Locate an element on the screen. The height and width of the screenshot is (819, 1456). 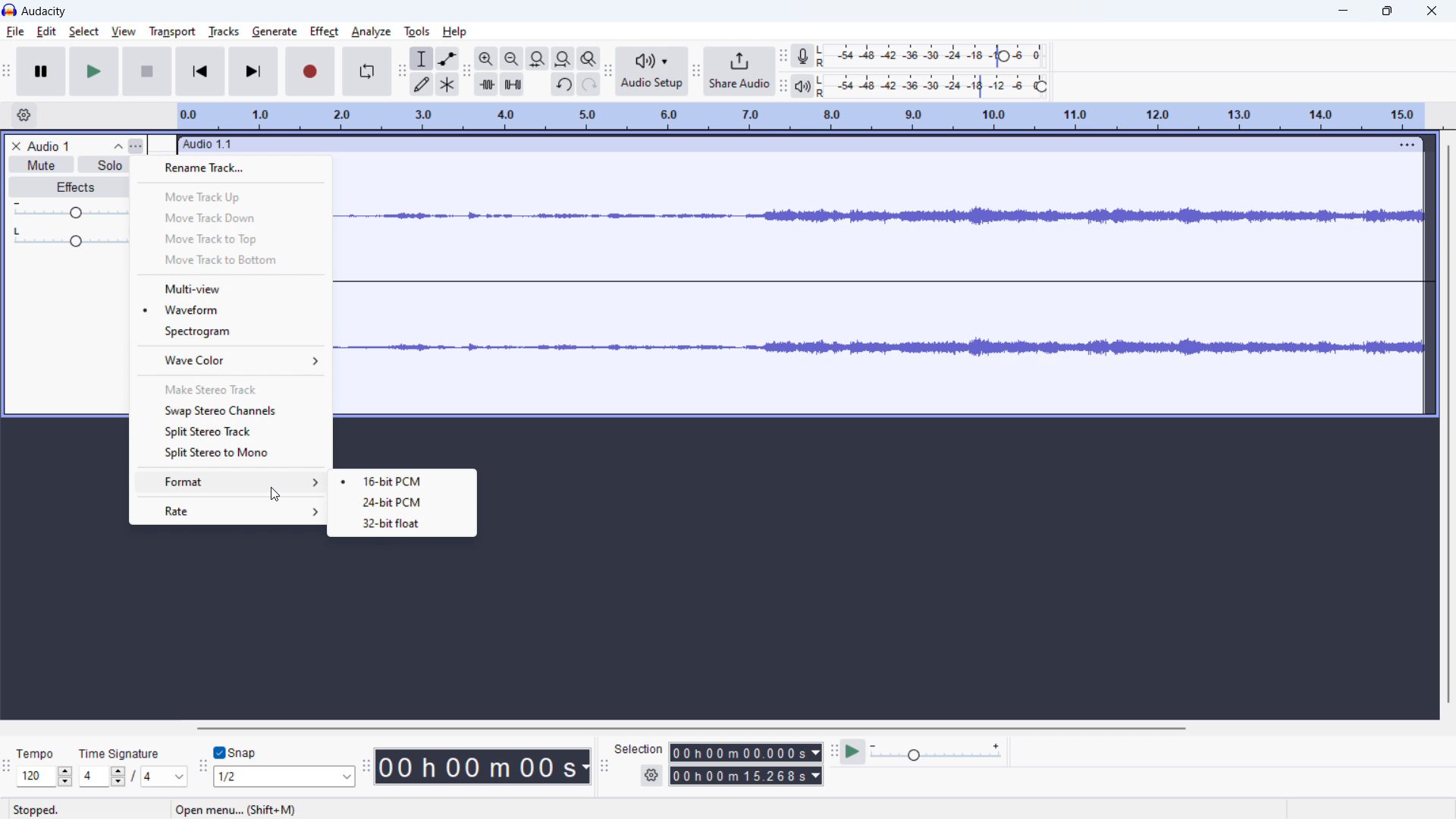
spectogram is located at coordinates (231, 331).